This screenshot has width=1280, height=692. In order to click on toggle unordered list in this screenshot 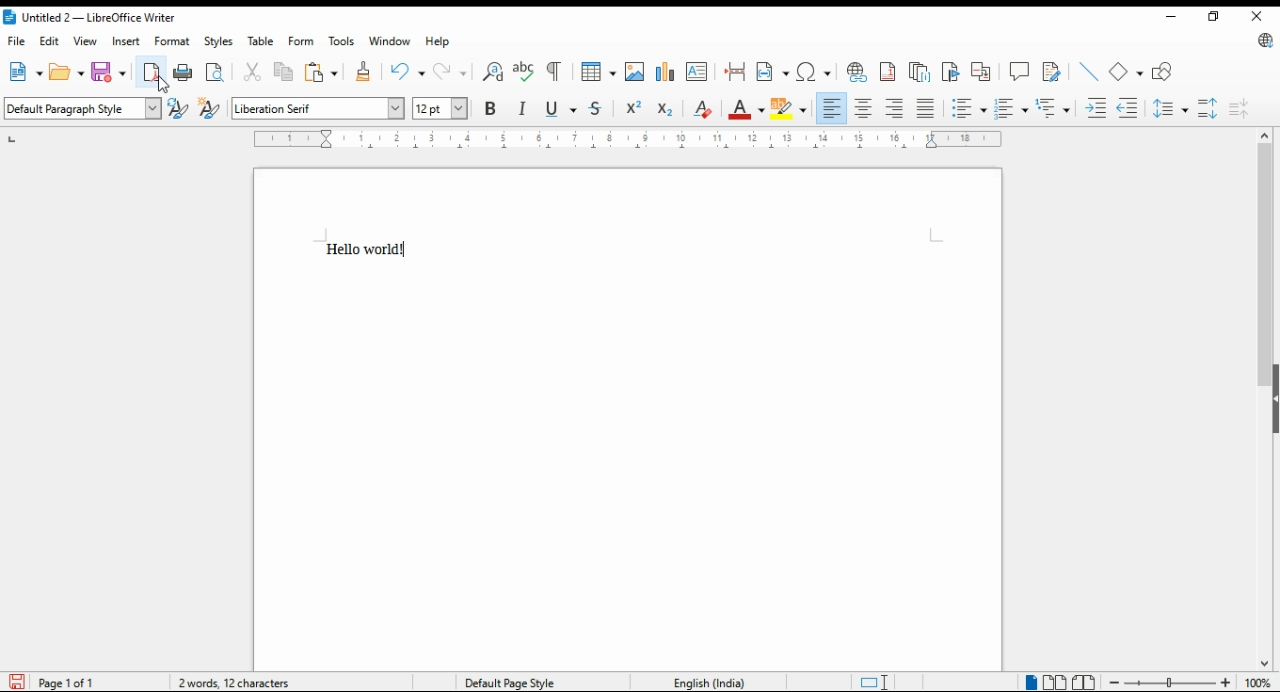, I will do `click(1010, 109)`.